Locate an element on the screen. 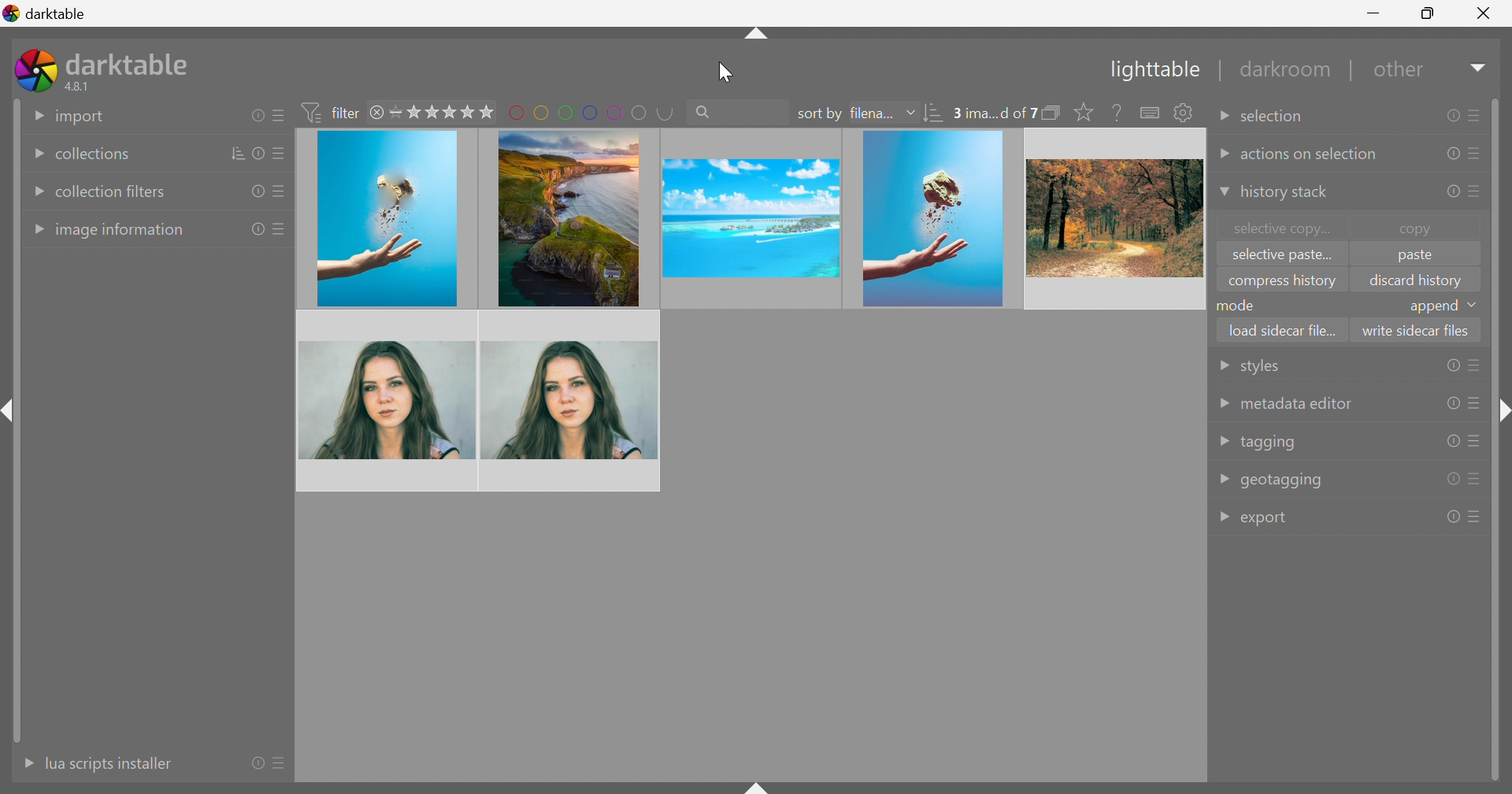  Cursor is located at coordinates (726, 71).